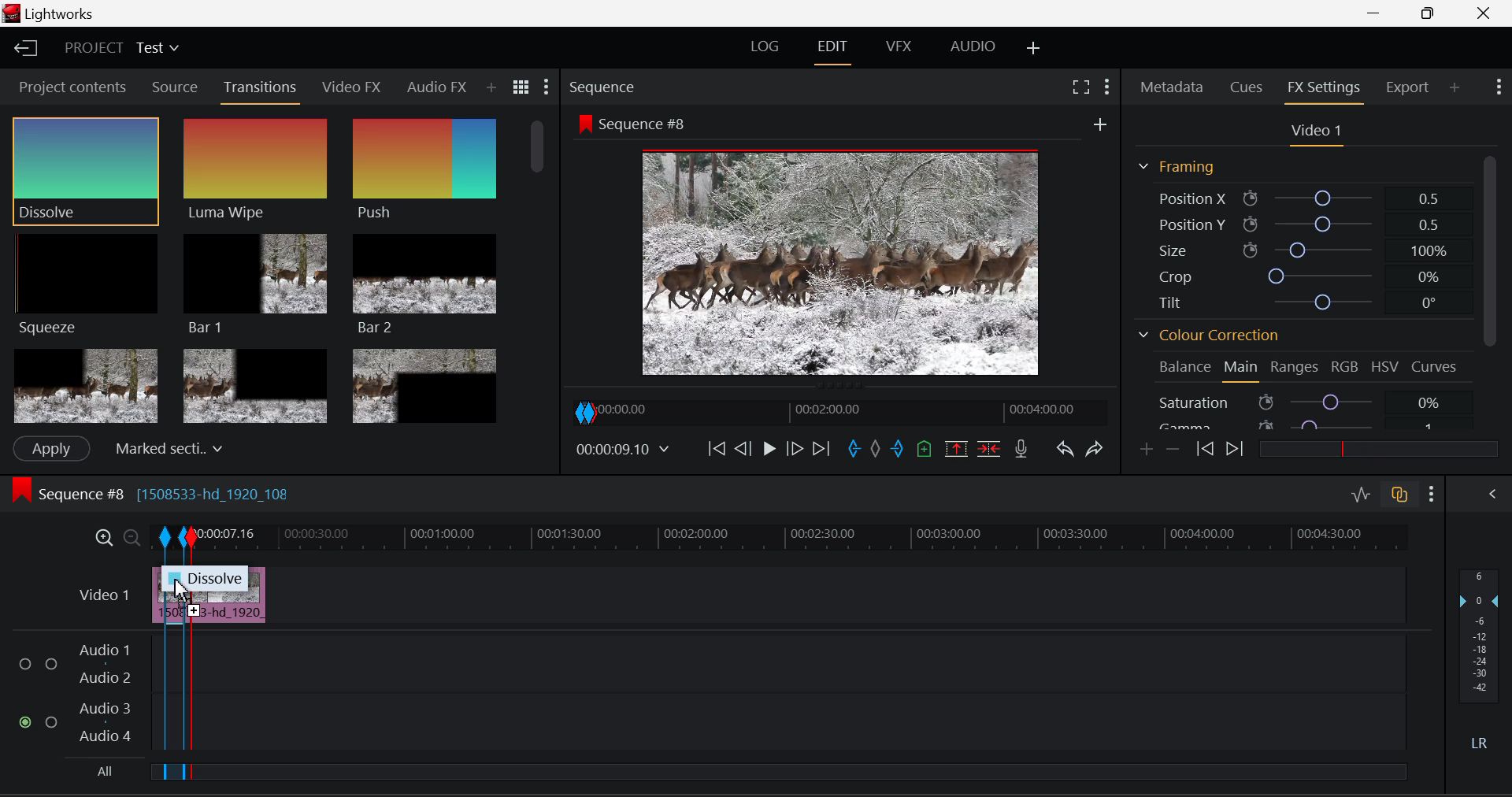  What do you see at coordinates (261, 91) in the screenshot?
I see `Transitions Panel Open` at bounding box center [261, 91].